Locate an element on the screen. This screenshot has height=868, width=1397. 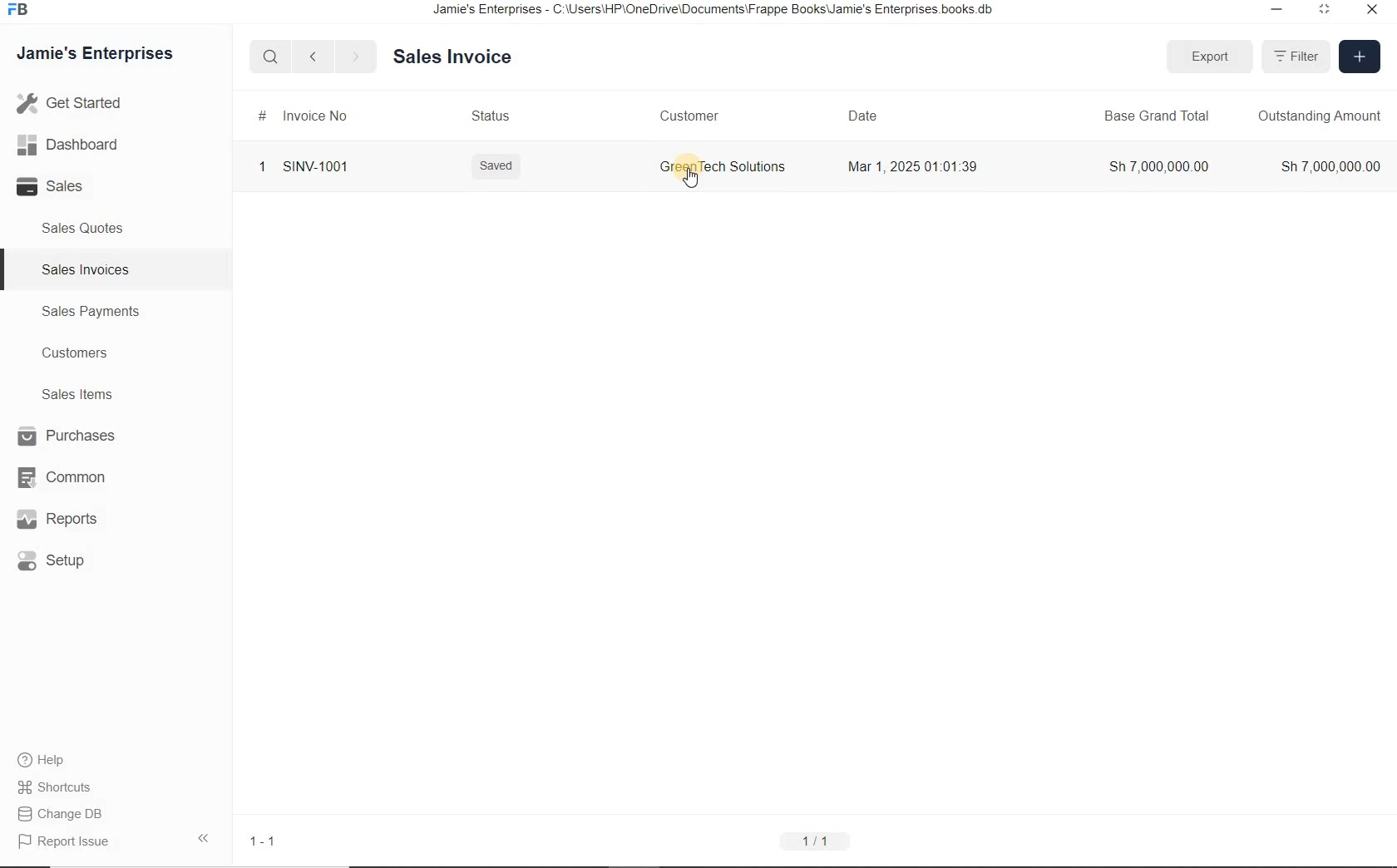
Shortcuts is located at coordinates (62, 787).